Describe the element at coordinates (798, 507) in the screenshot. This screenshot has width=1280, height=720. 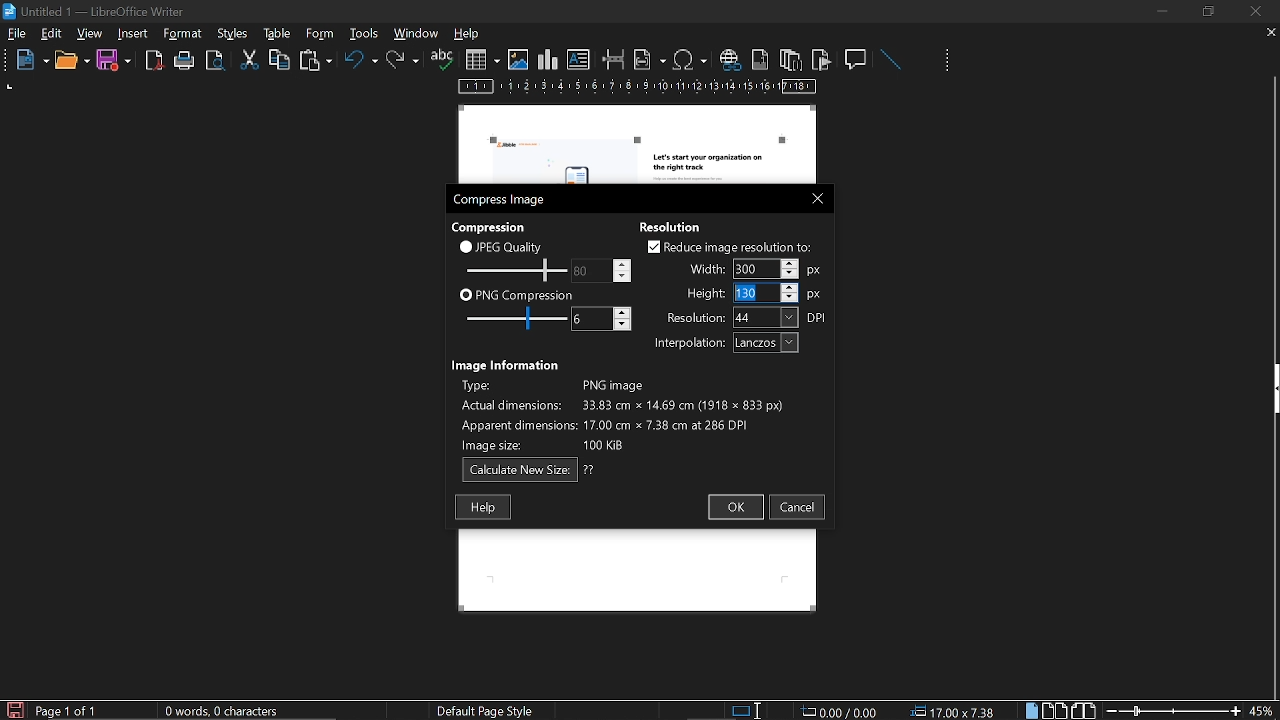
I see `cancel` at that location.